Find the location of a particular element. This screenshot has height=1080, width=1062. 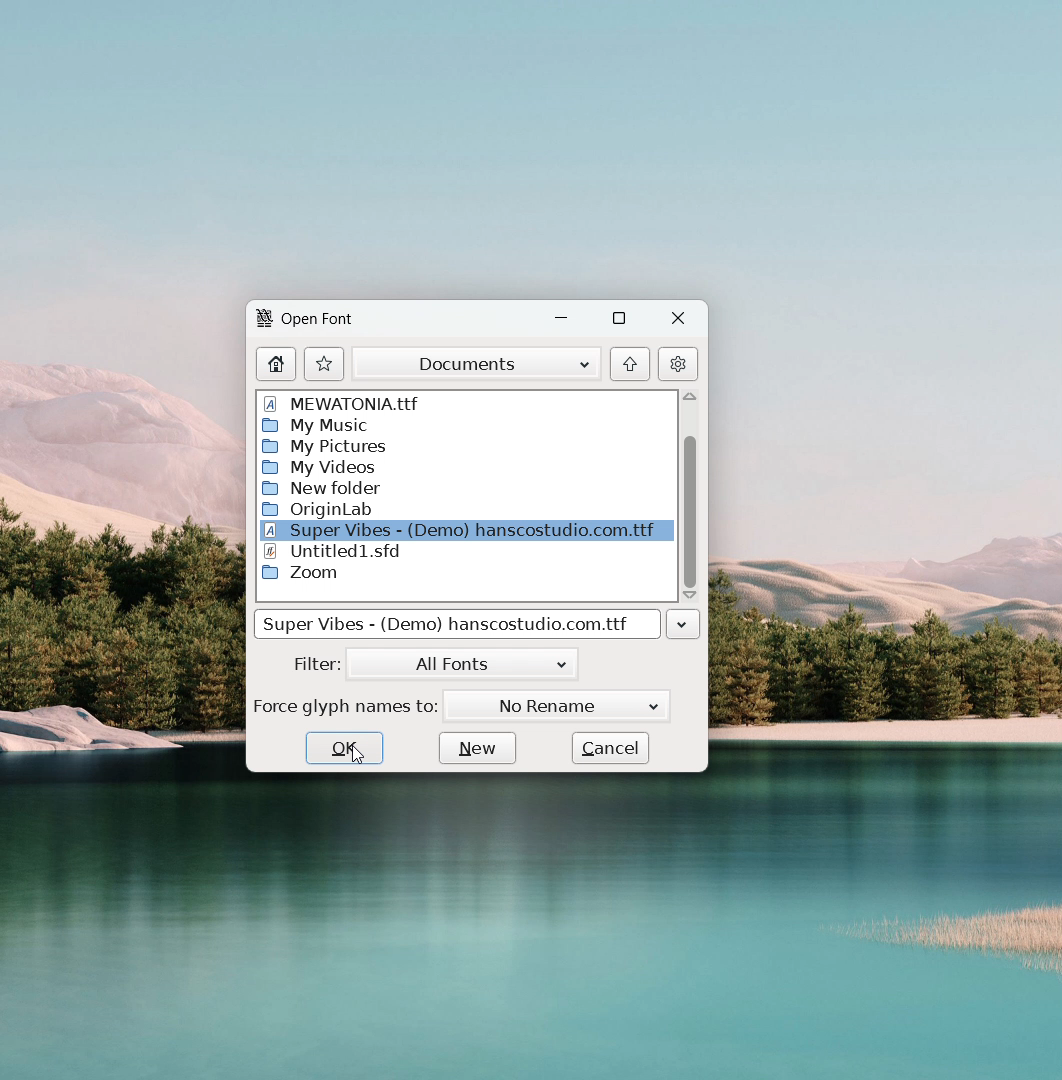

Filter: is located at coordinates (310, 668).